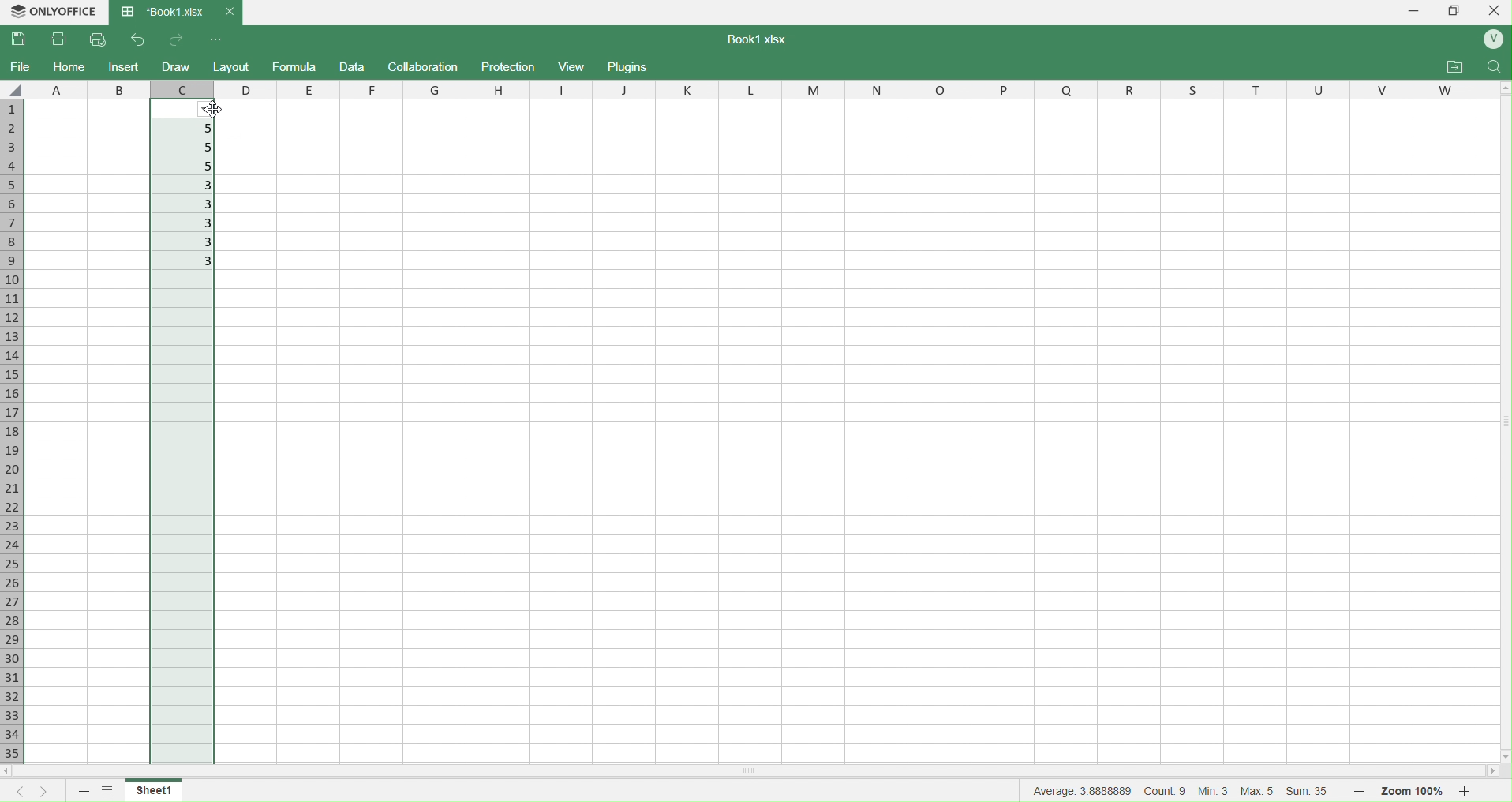  What do you see at coordinates (52, 11) in the screenshot?
I see `OnlyOffice` at bounding box center [52, 11].